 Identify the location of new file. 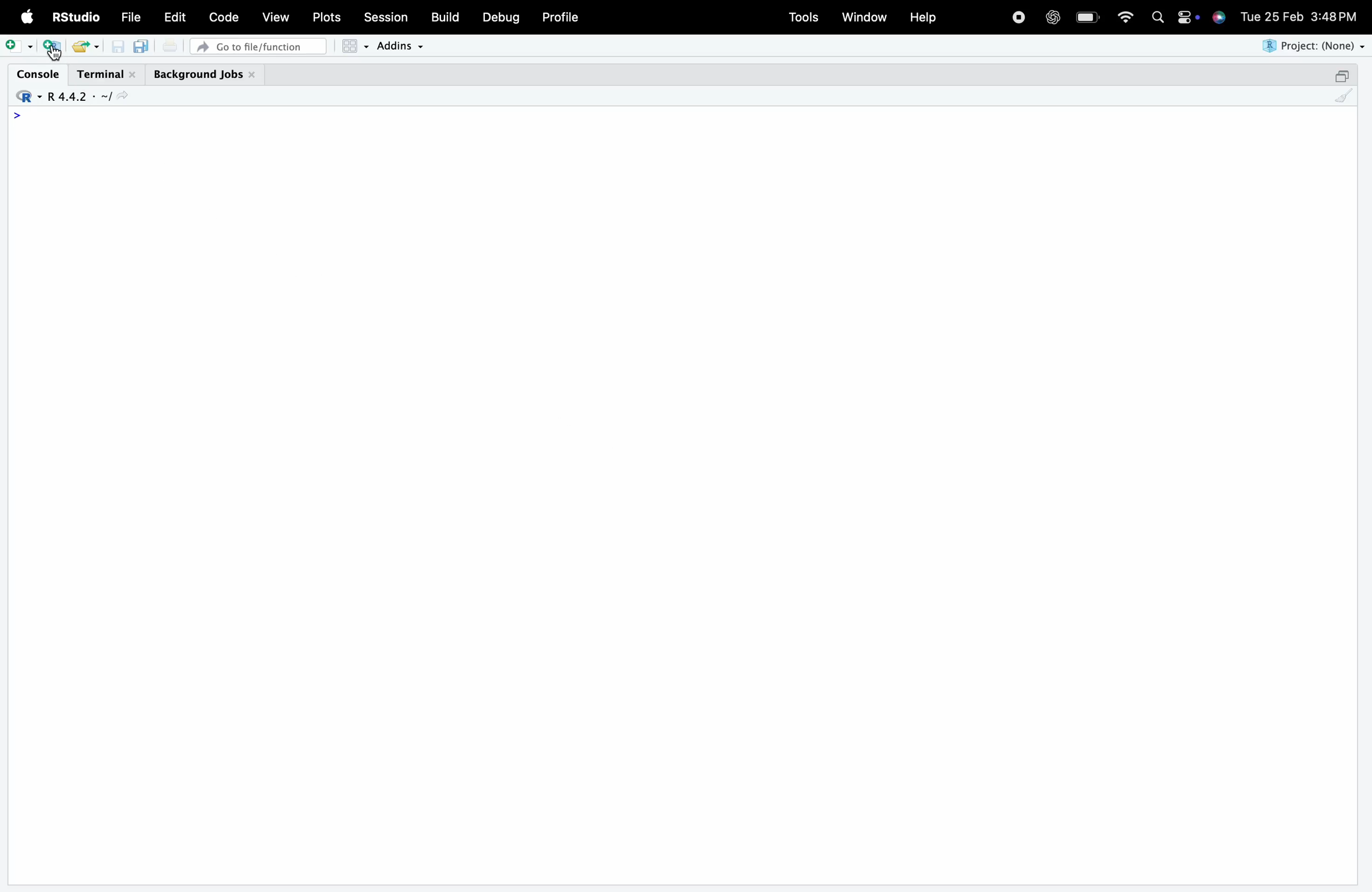
(19, 46).